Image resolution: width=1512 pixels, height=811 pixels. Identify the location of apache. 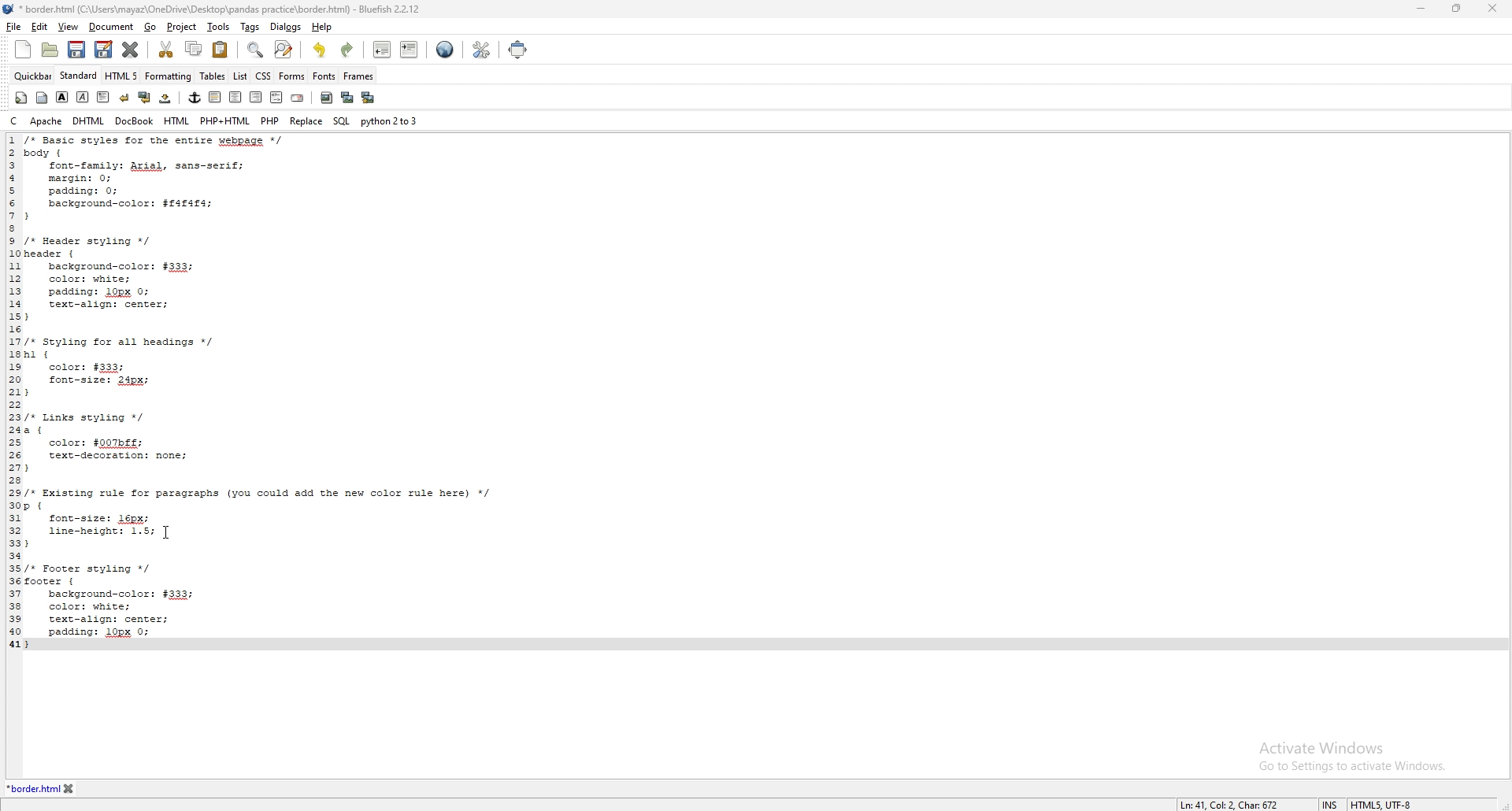
(46, 120).